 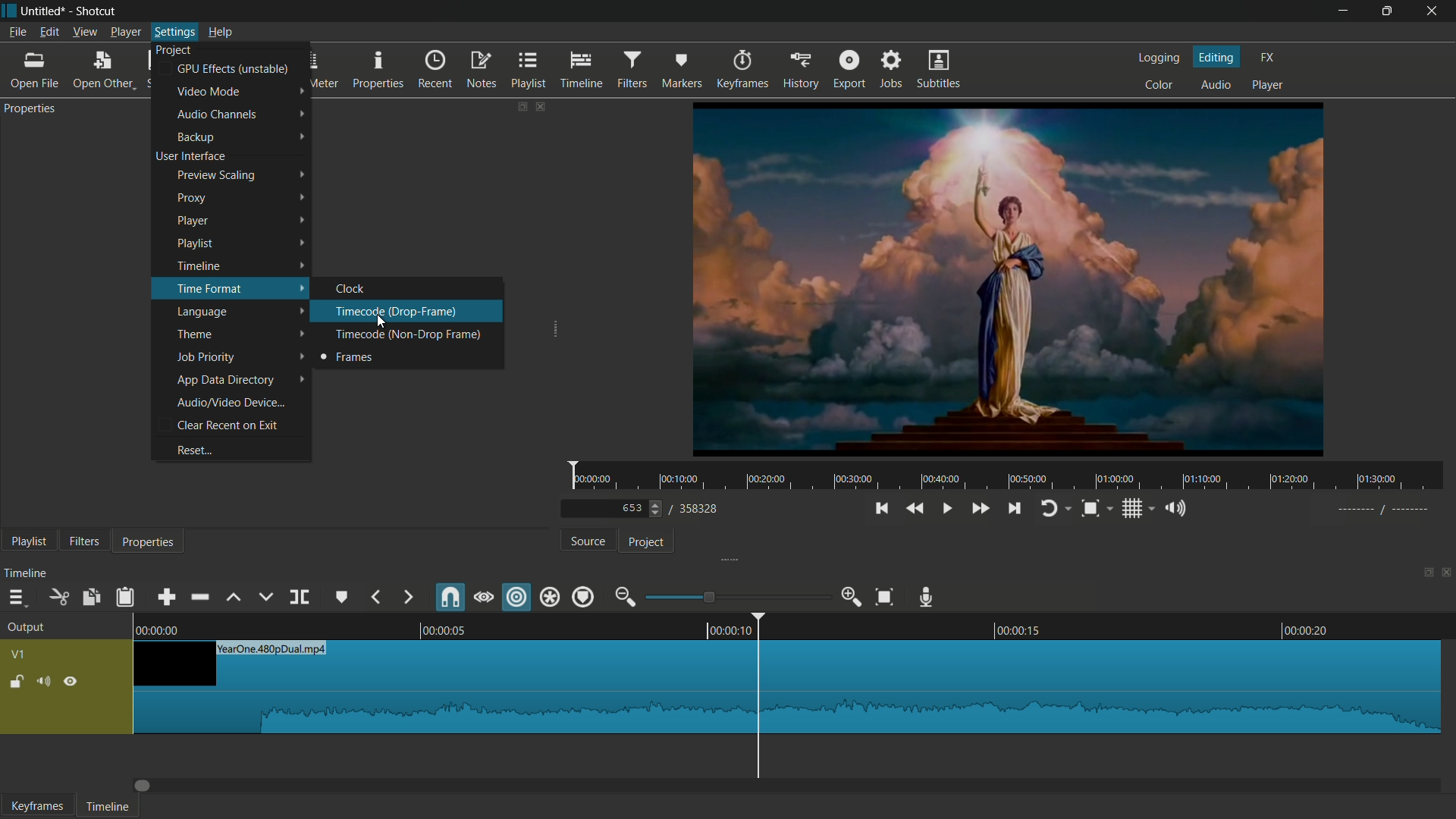 What do you see at coordinates (127, 597) in the screenshot?
I see `paste` at bounding box center [127, 597].